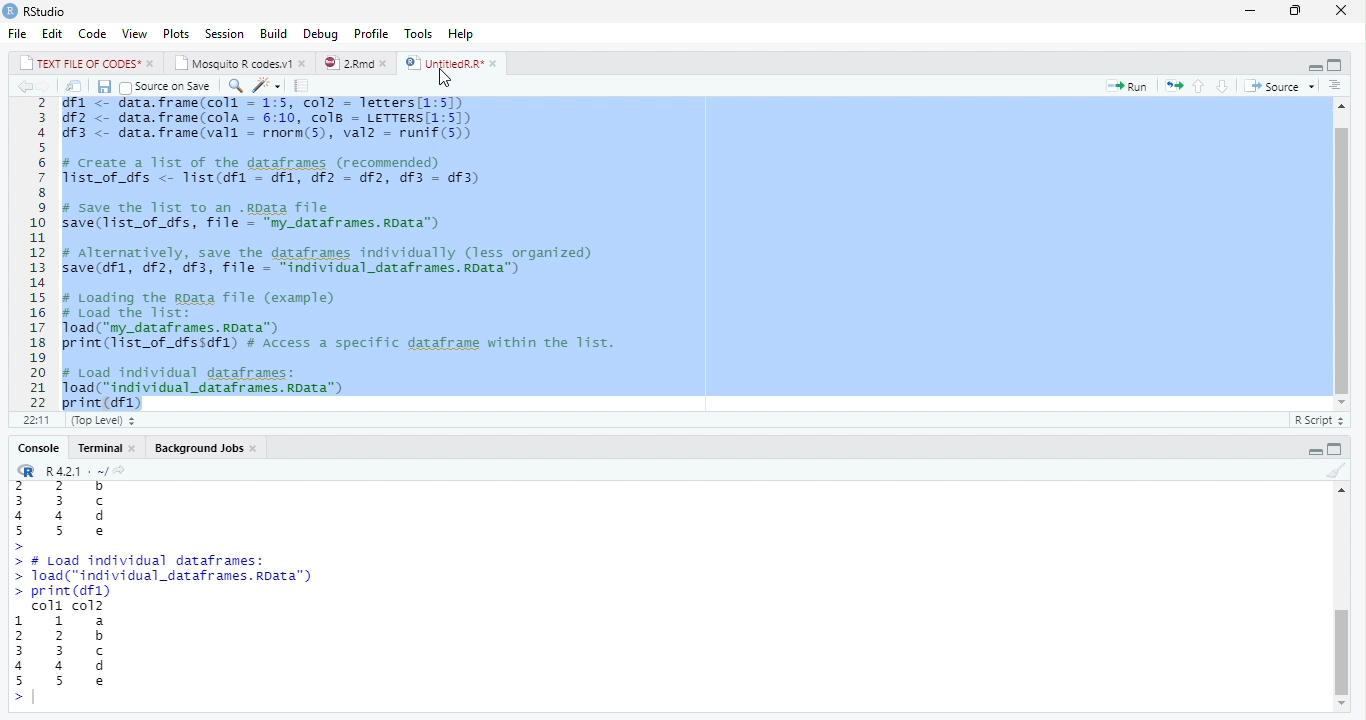 The width and height of the screenshot is (1366, 720). I want to click on Help, so click(462, 34).